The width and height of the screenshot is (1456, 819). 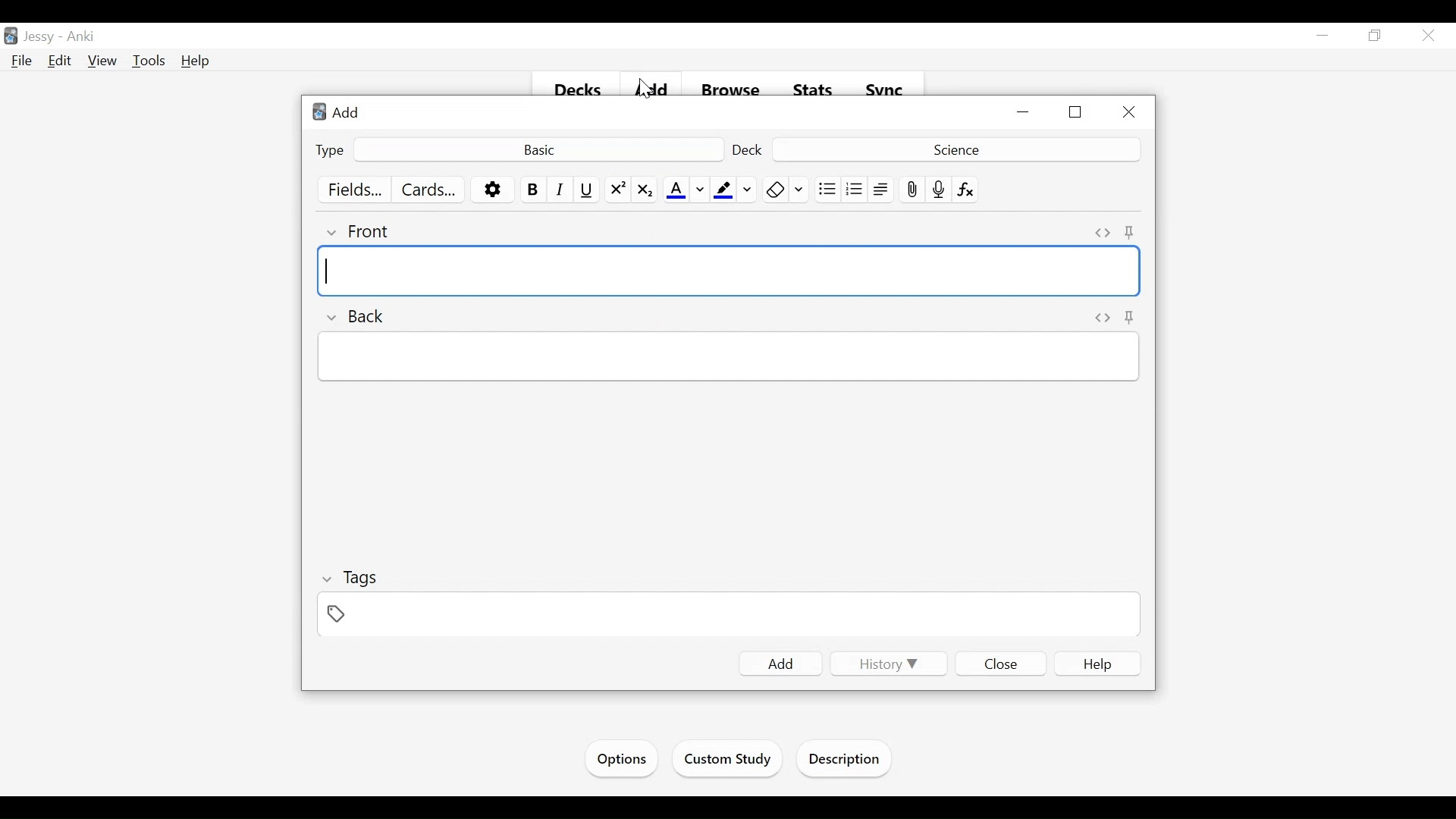 What do you see at coordinates (700, 190) in the screenshot?
I see `Change color` at bounding box center [700, 190].